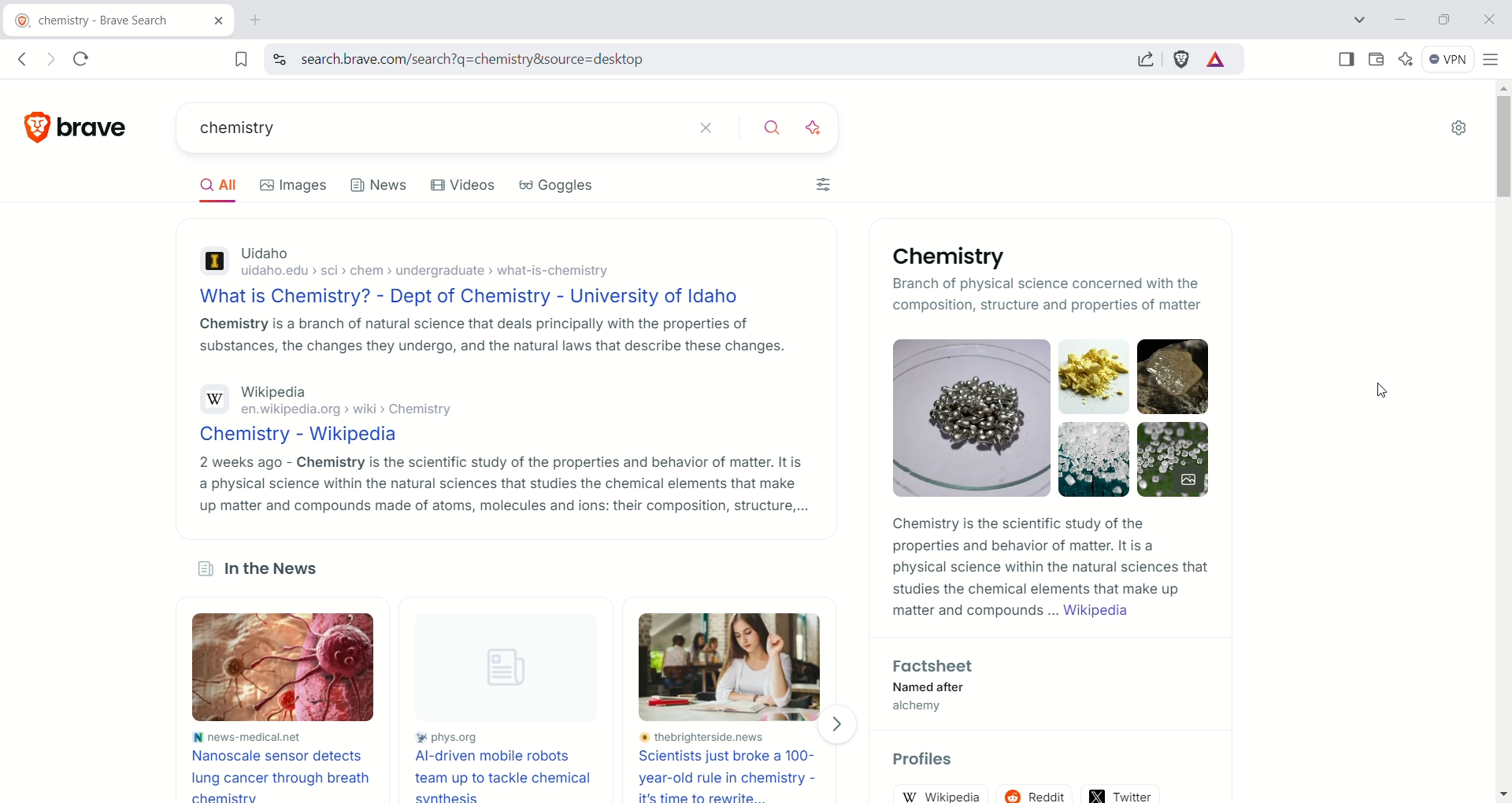 Image resolution: width=1512 pixels, height=803 pixels. Describe the element at coordinates (1373, 57) in the screenshot. I see `wallet` at that location.